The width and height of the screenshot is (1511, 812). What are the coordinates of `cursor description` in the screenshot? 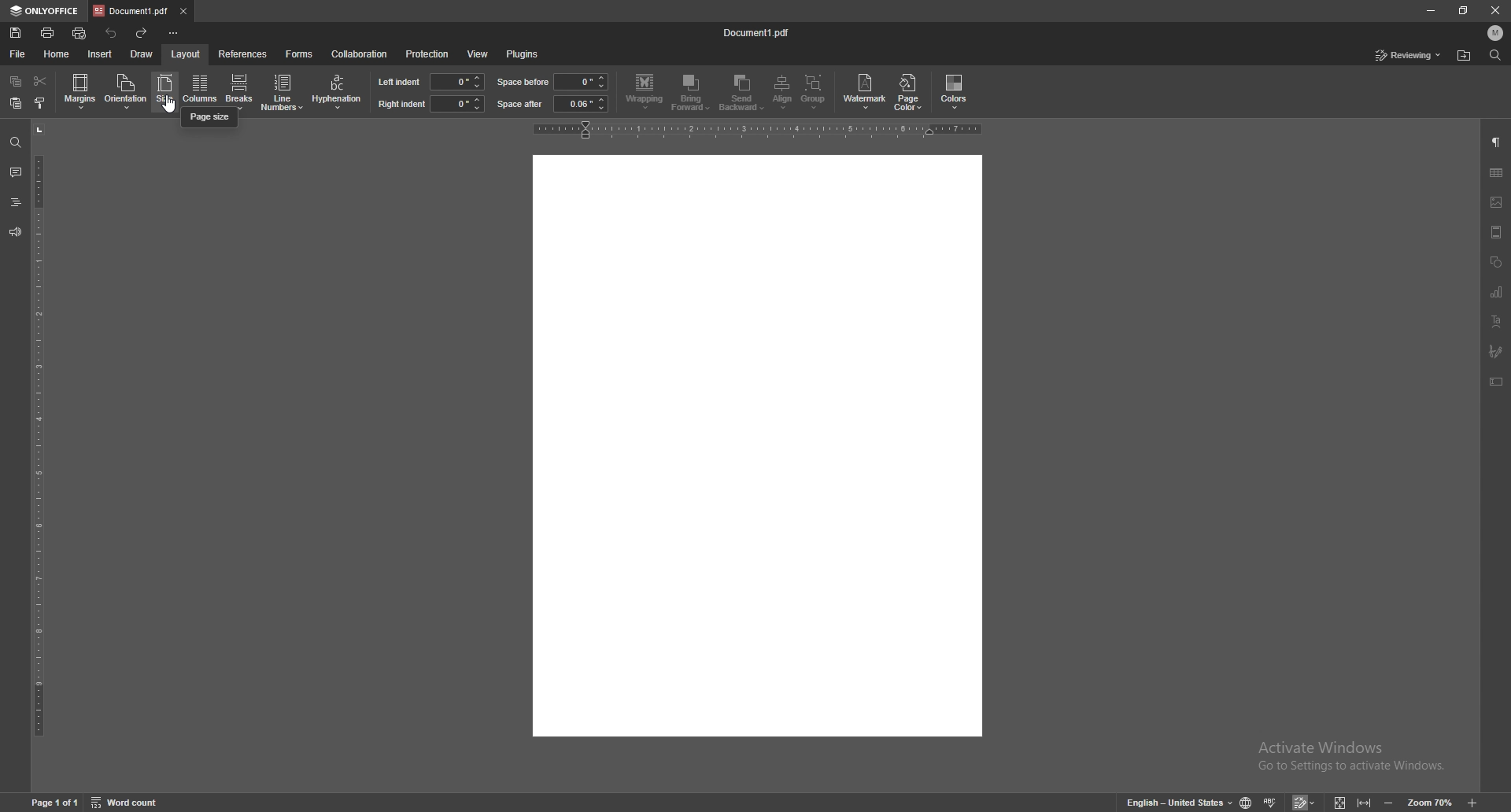 It's located at (210, 117).